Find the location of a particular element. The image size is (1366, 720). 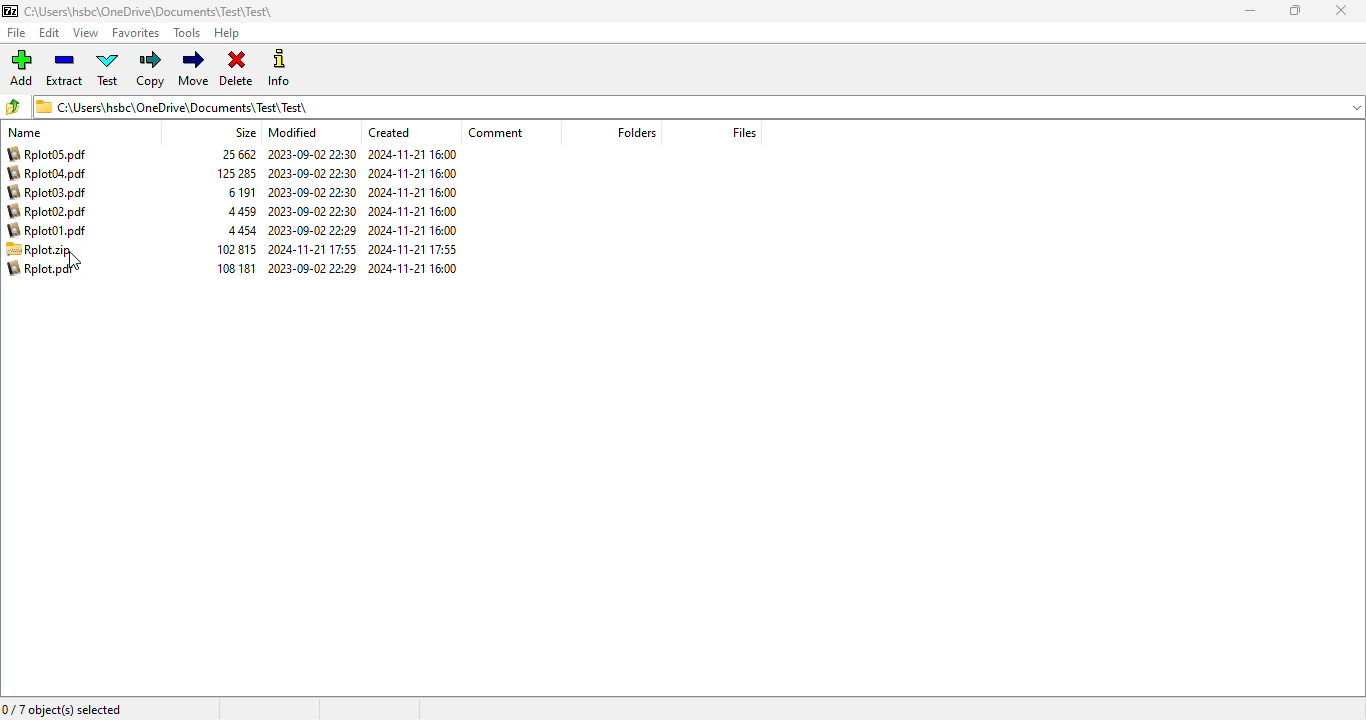

add is located at coordinates (21, 67).